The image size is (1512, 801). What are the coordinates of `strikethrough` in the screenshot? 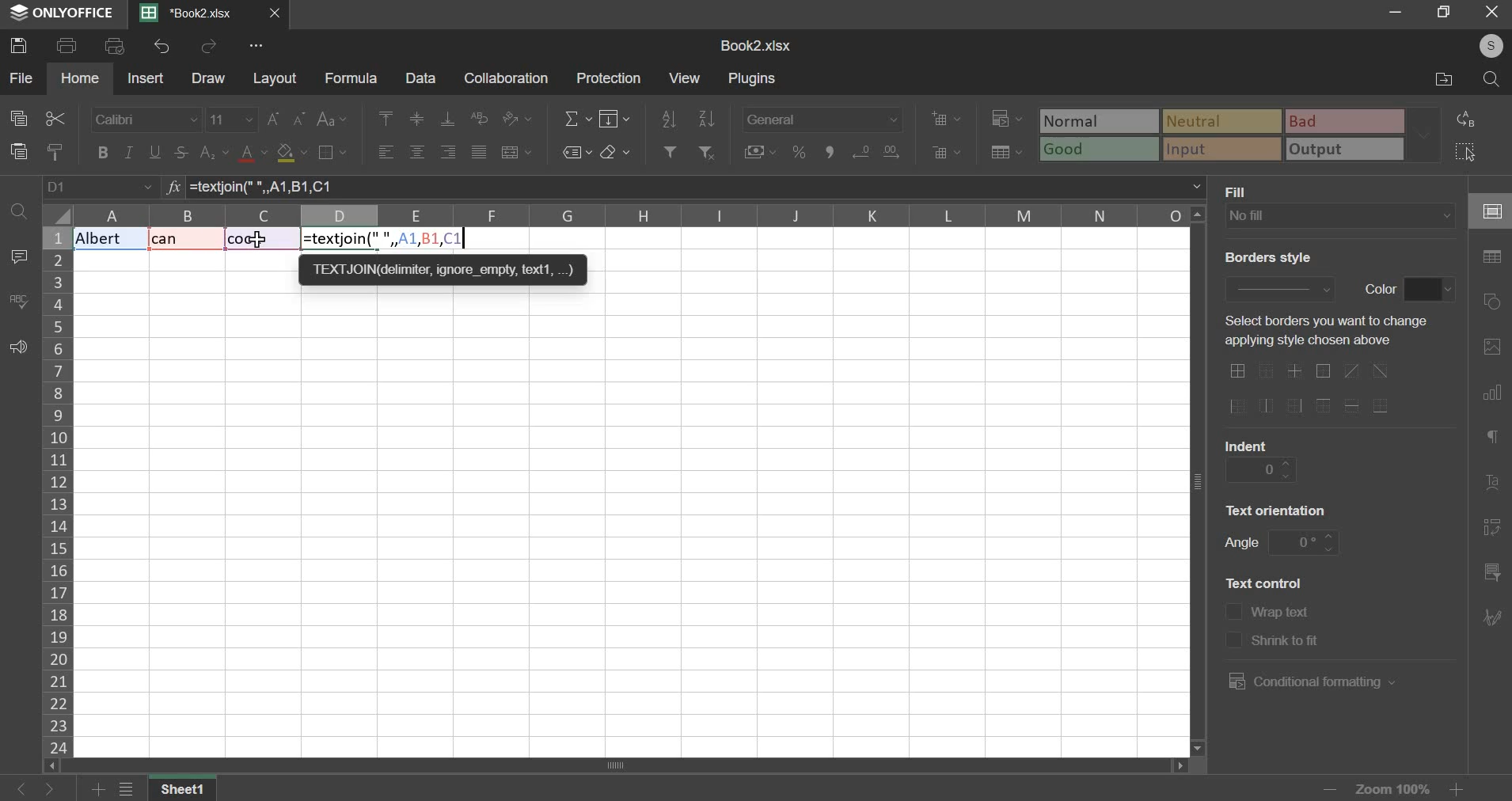 It's located at (180, 152).